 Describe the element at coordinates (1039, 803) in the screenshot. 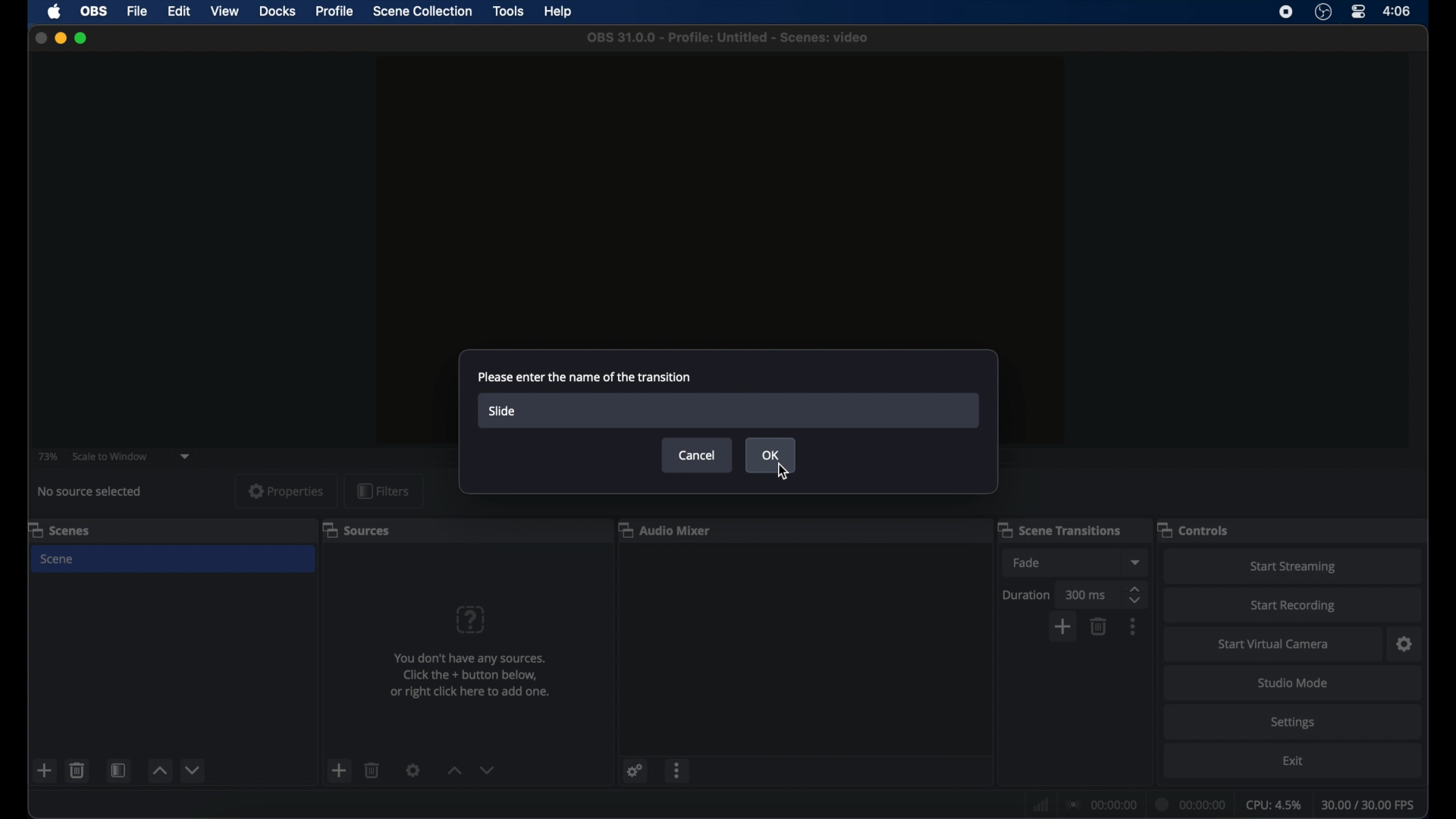

I see `netwrok` at that location.